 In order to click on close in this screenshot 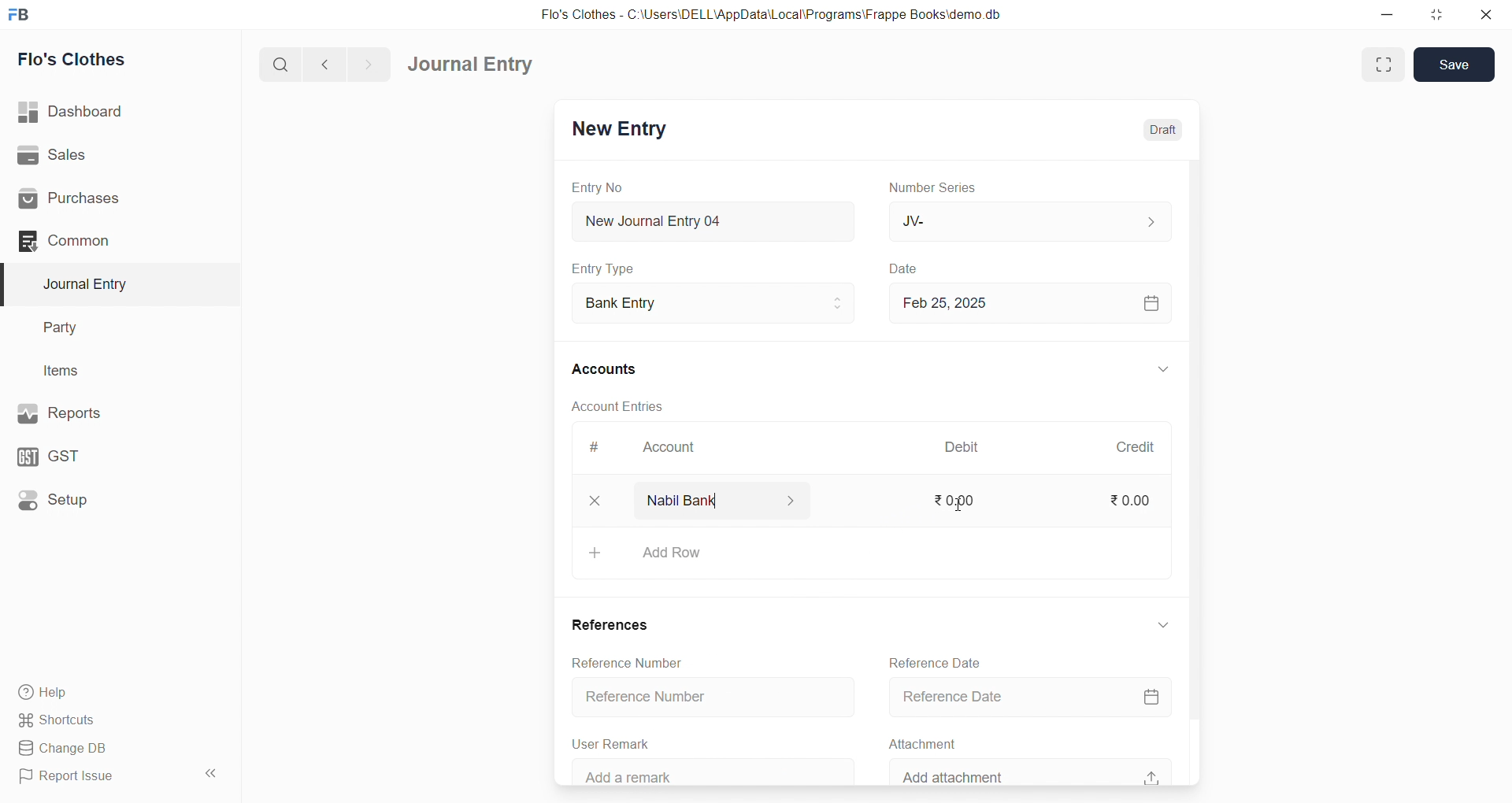, I will do `click(587, 500)`.